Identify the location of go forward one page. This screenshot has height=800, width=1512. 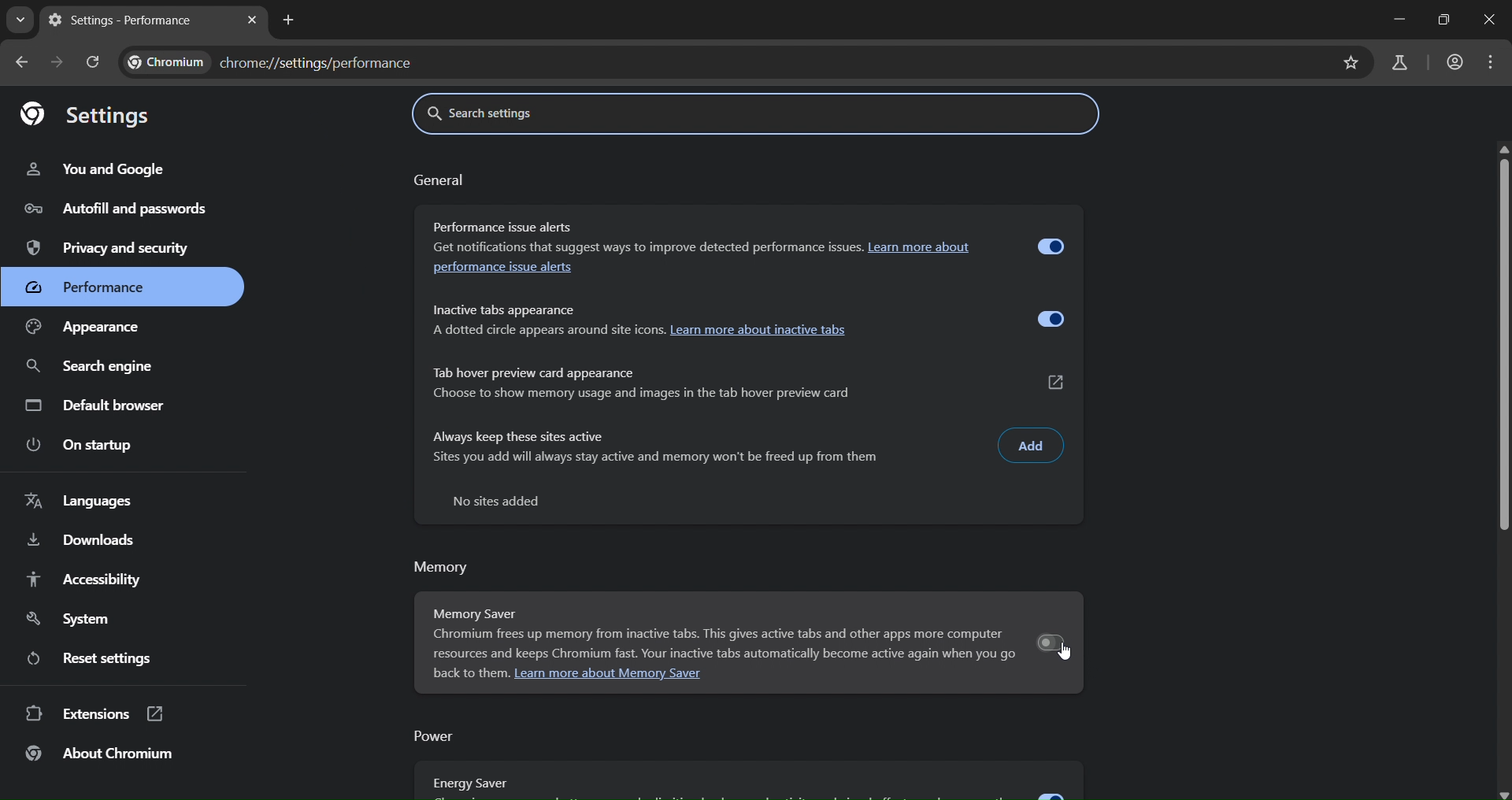
(60, 62).